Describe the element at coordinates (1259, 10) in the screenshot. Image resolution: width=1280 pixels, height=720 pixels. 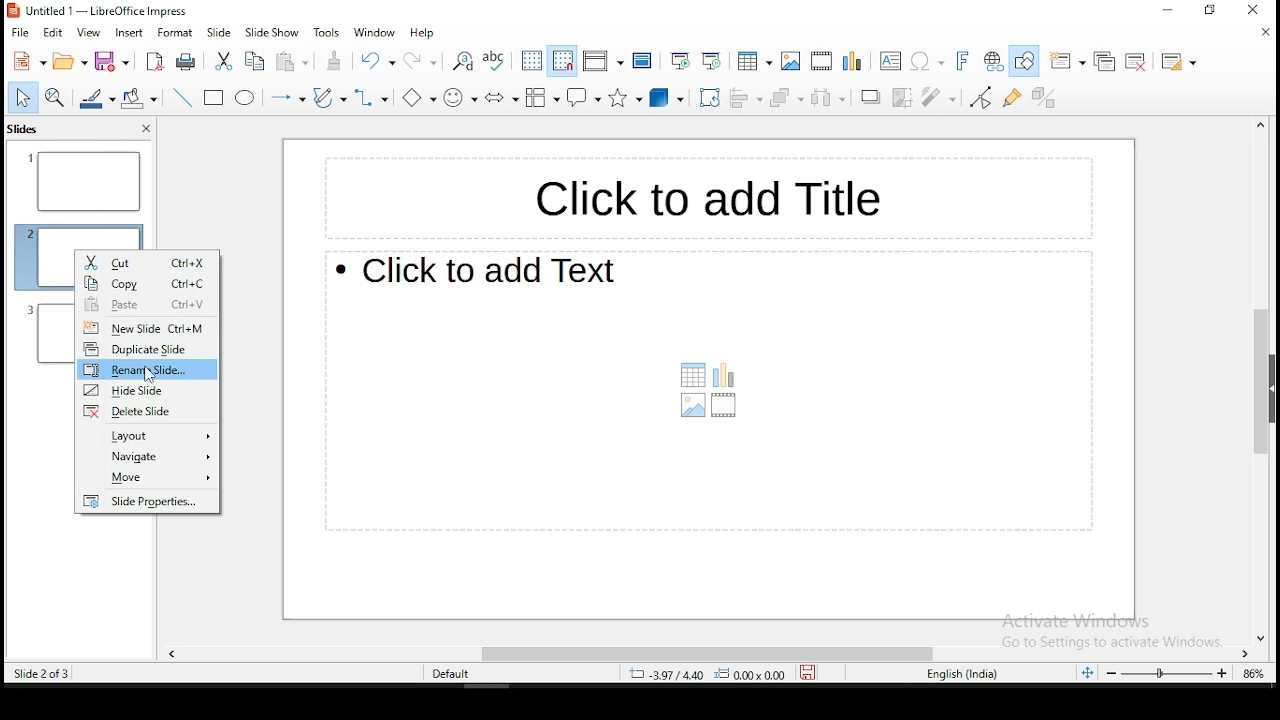
I see `close window` at that location.